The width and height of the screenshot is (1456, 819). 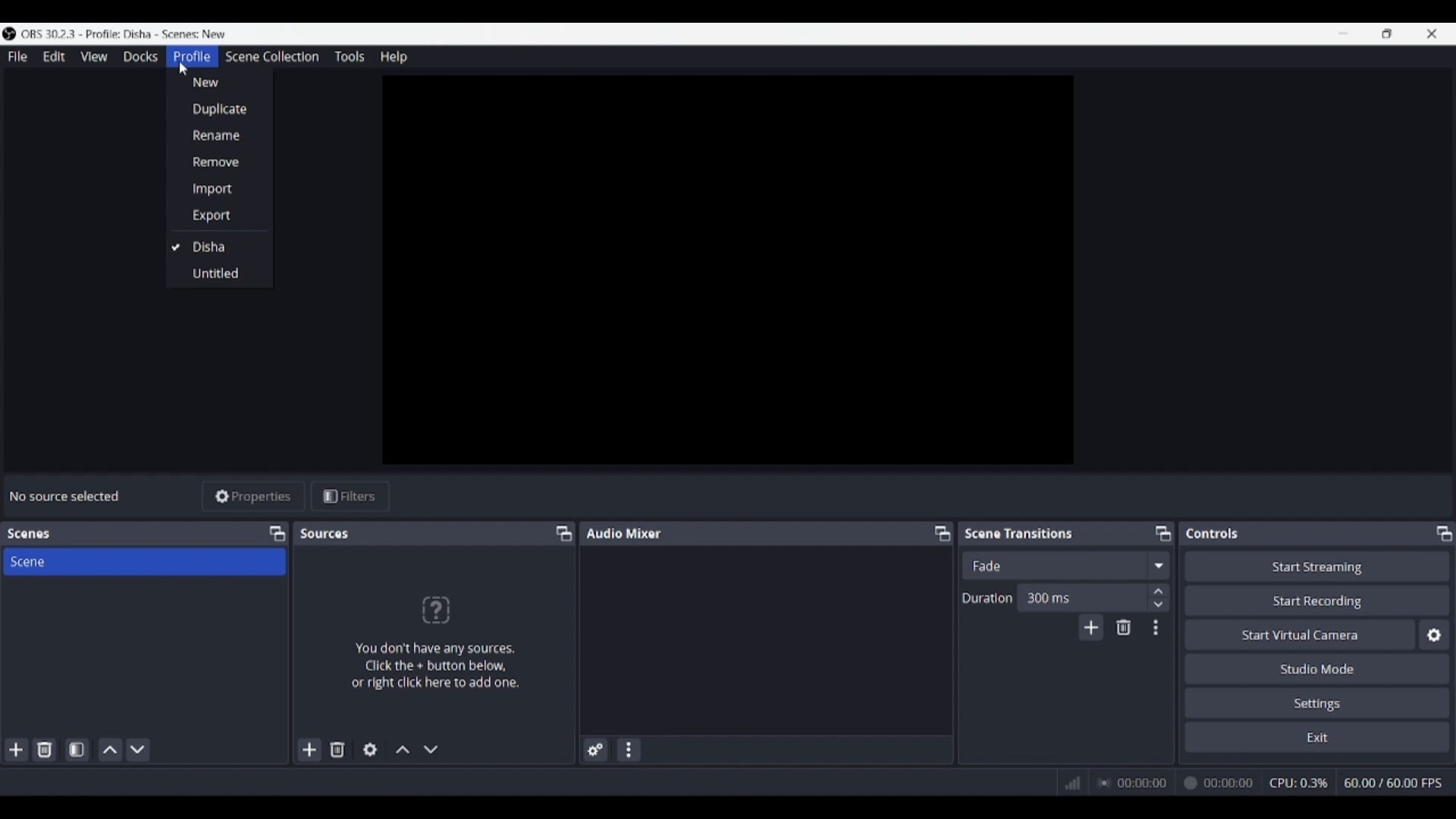 What do you see at coordinates (559, 534) in the screenshot?
I see `Copy` at bounding box center [559, 534].